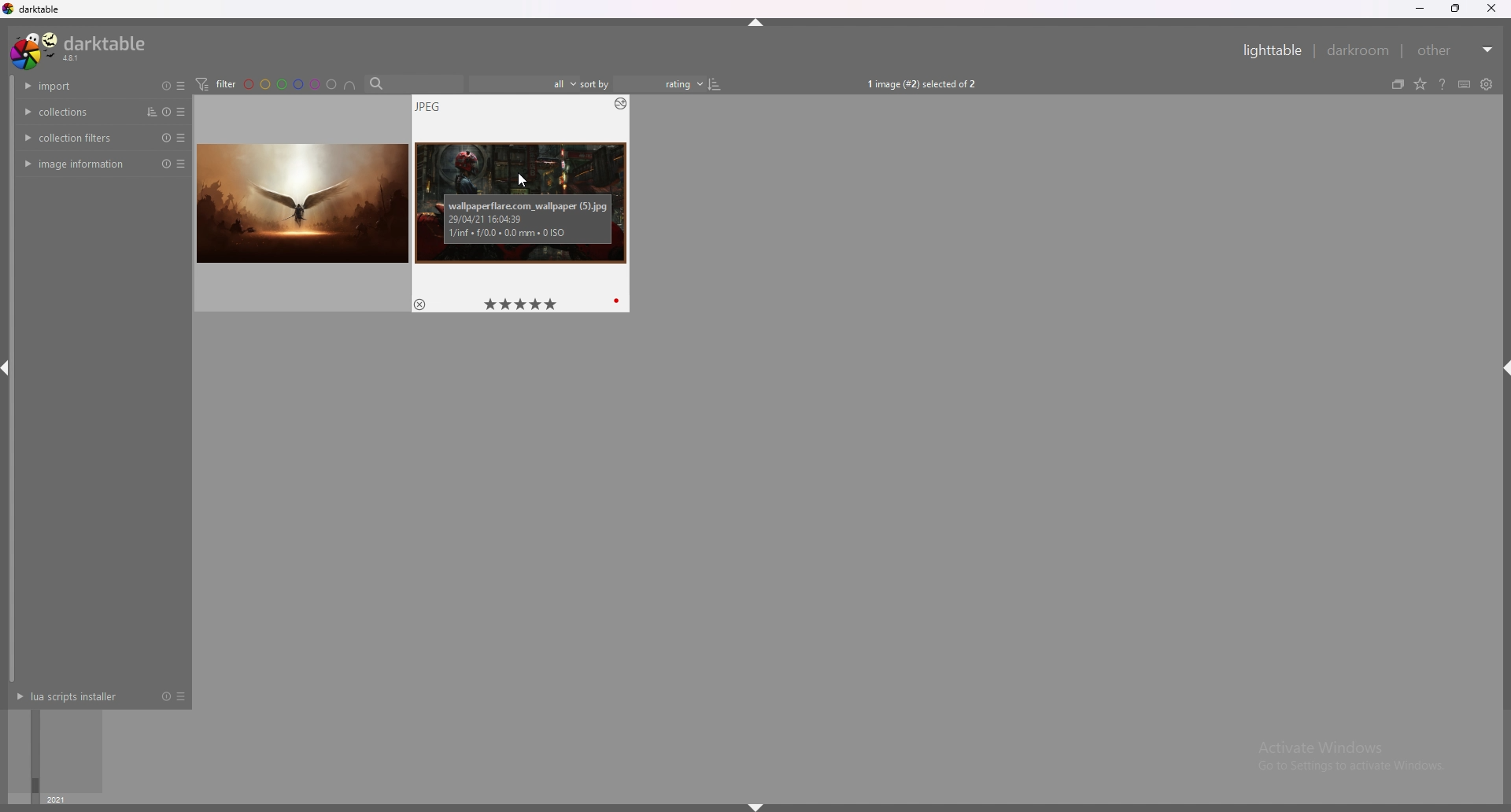 The height and width of the screenshot is (812, 1511). I want to click on image, so click(302, 203).